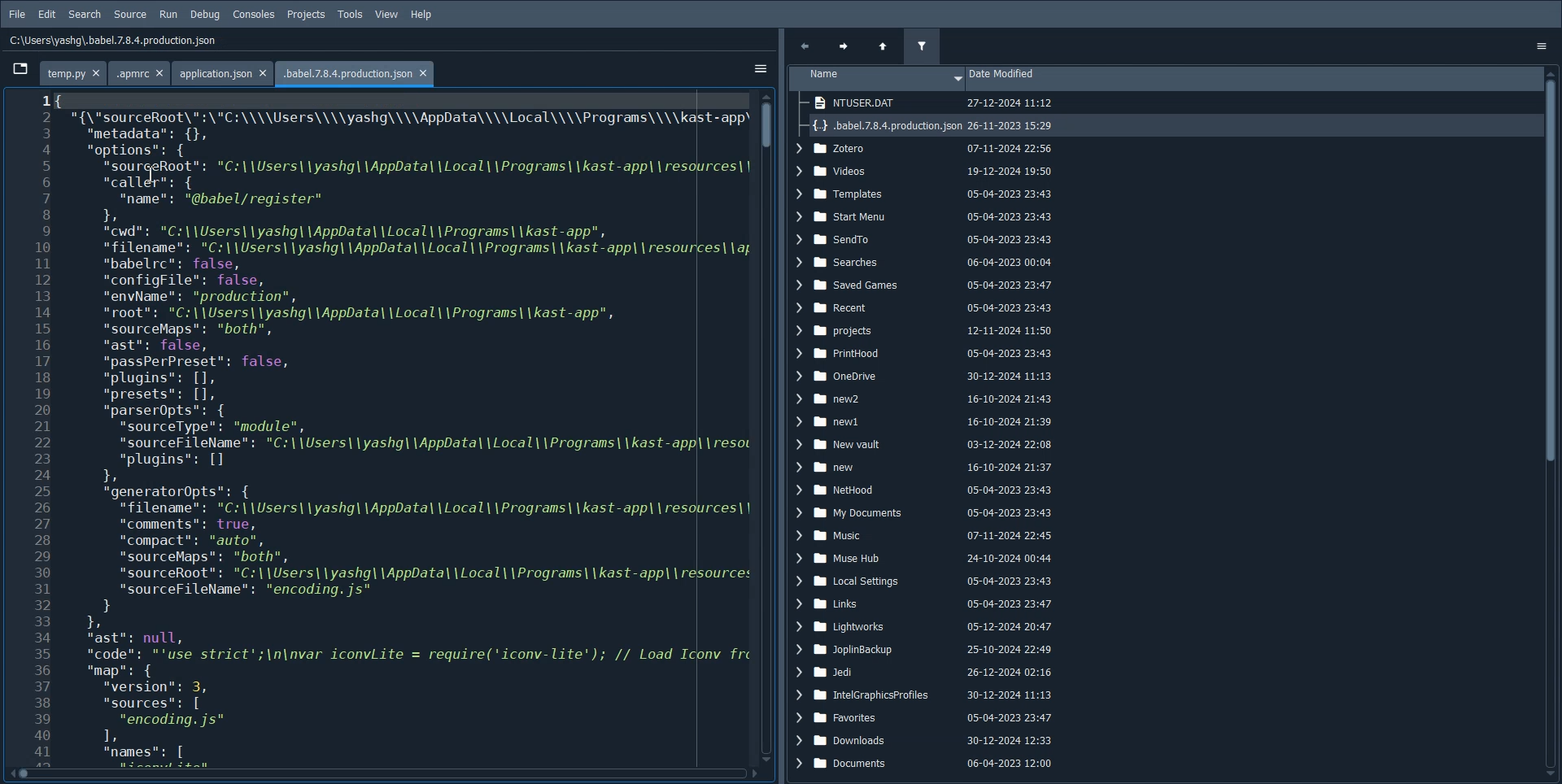 The width and height of the screenshot is (1562, 784). I want to click on Options, so click(759, 68).